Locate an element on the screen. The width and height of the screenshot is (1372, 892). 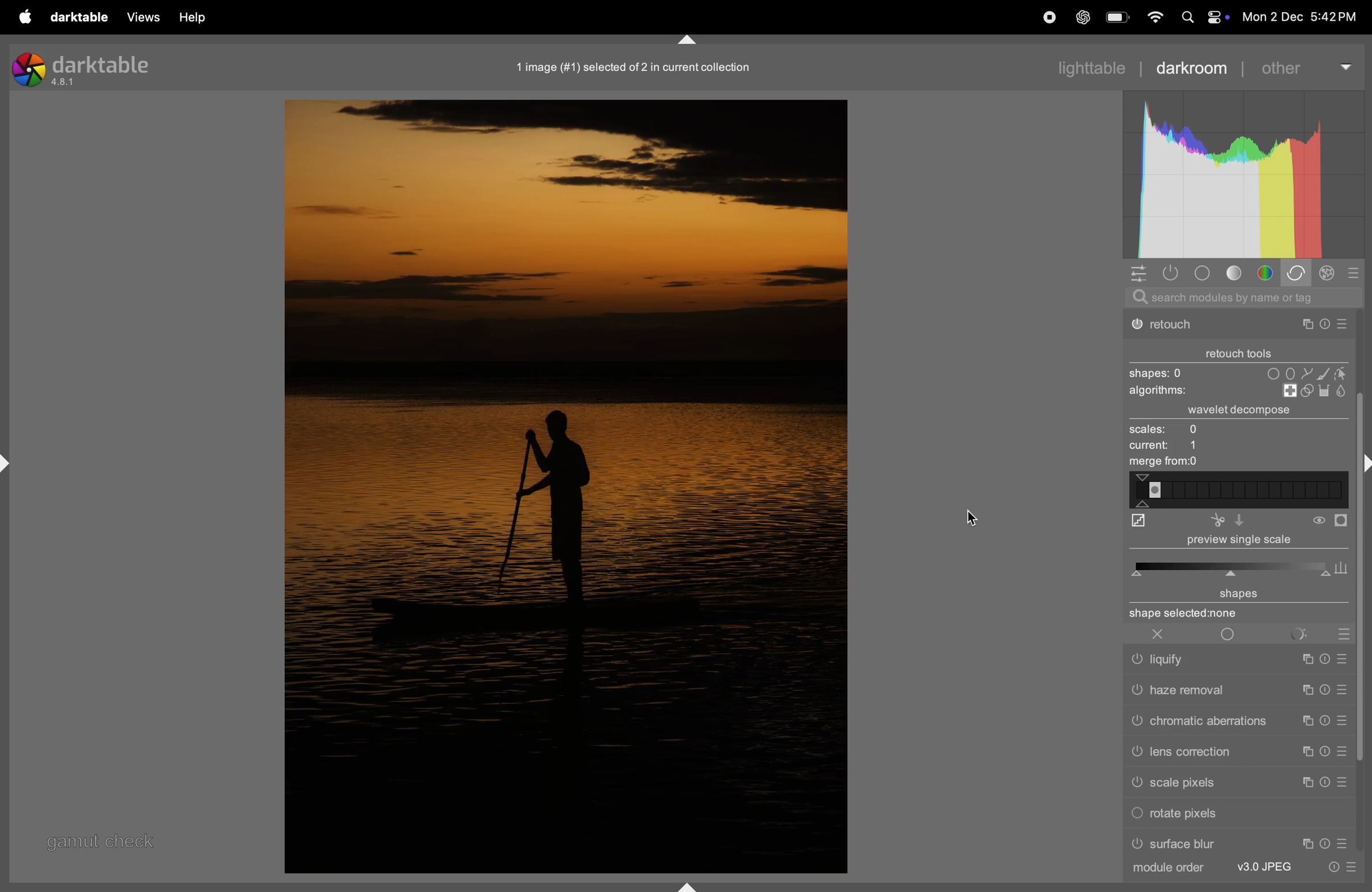
wifi is located at coordinates (1153, 18).